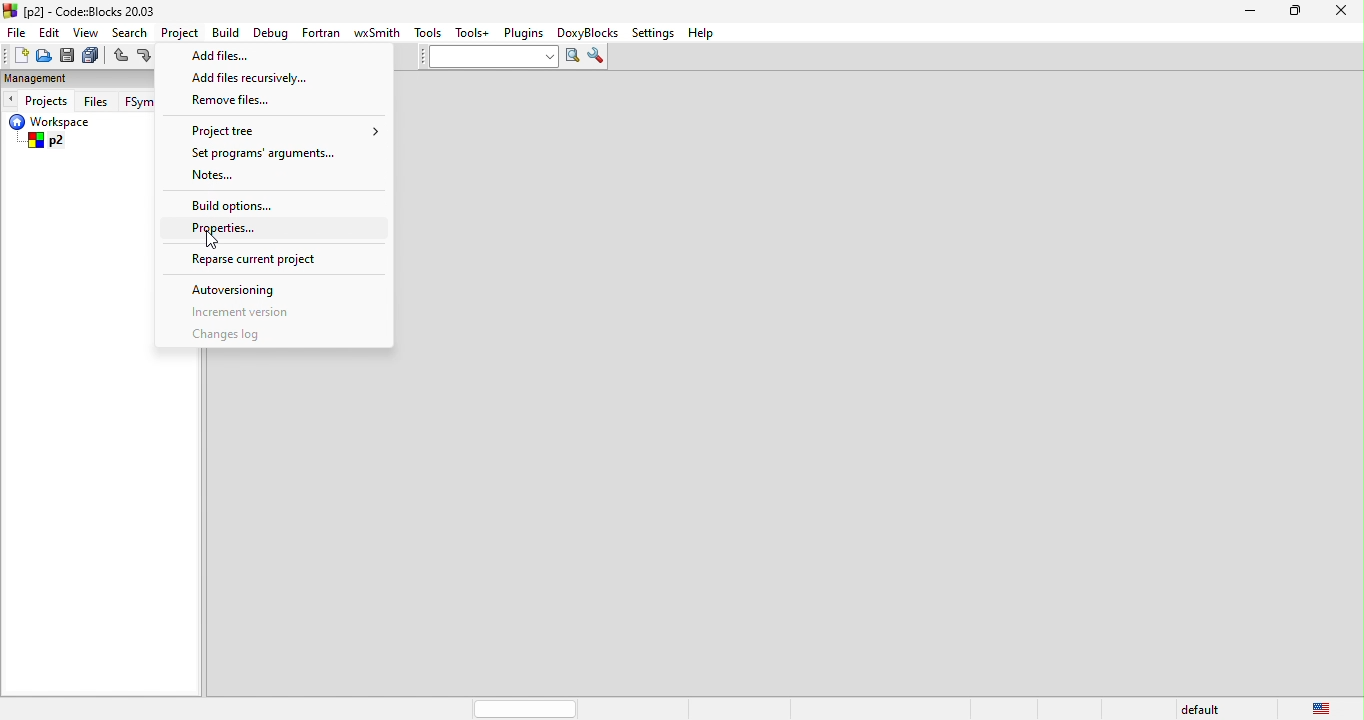  Describe the element at coordinates (223, 177) in the screenshot. I see `notes` at that location.